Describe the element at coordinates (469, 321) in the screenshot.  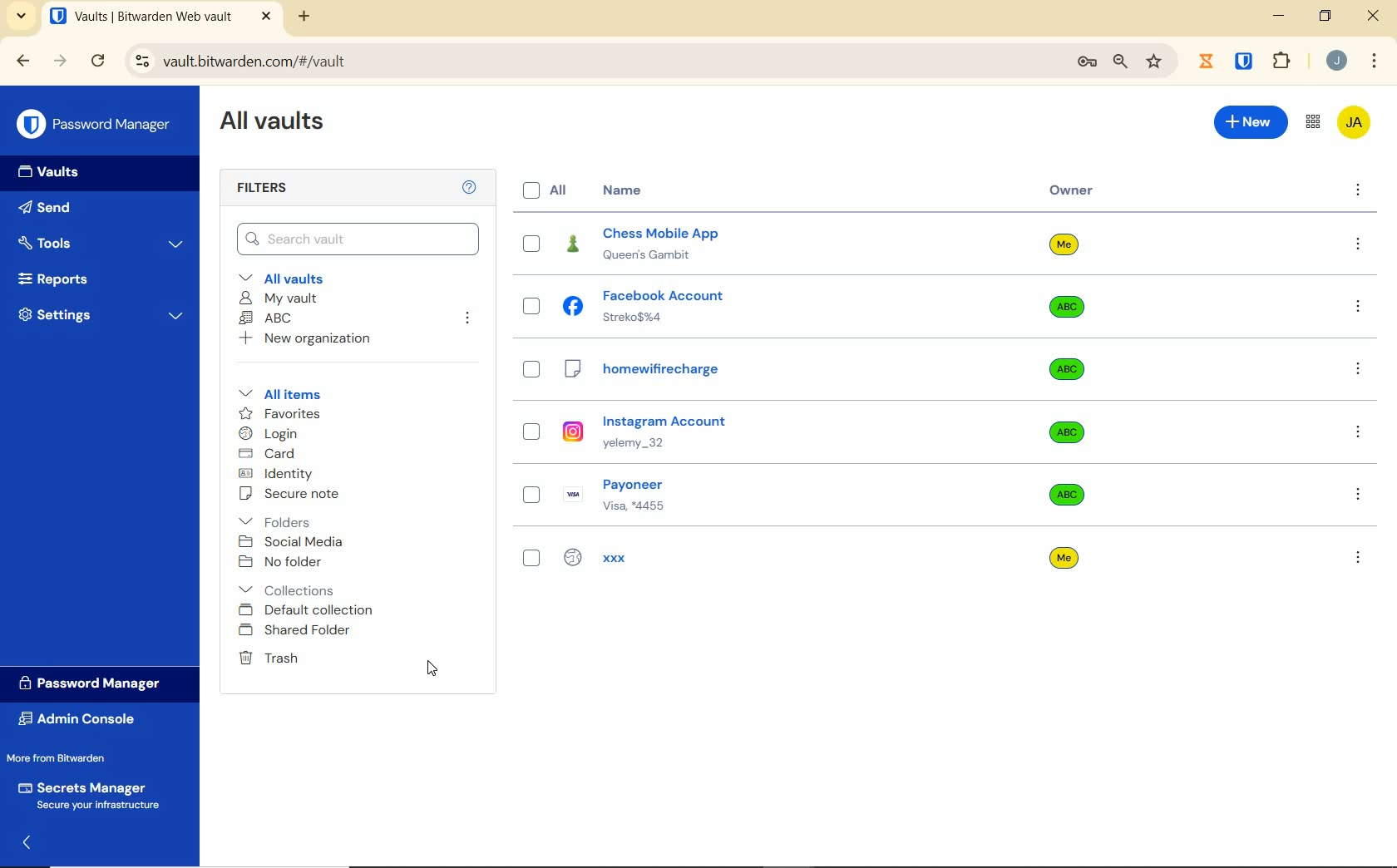
I see `leave` at that location.